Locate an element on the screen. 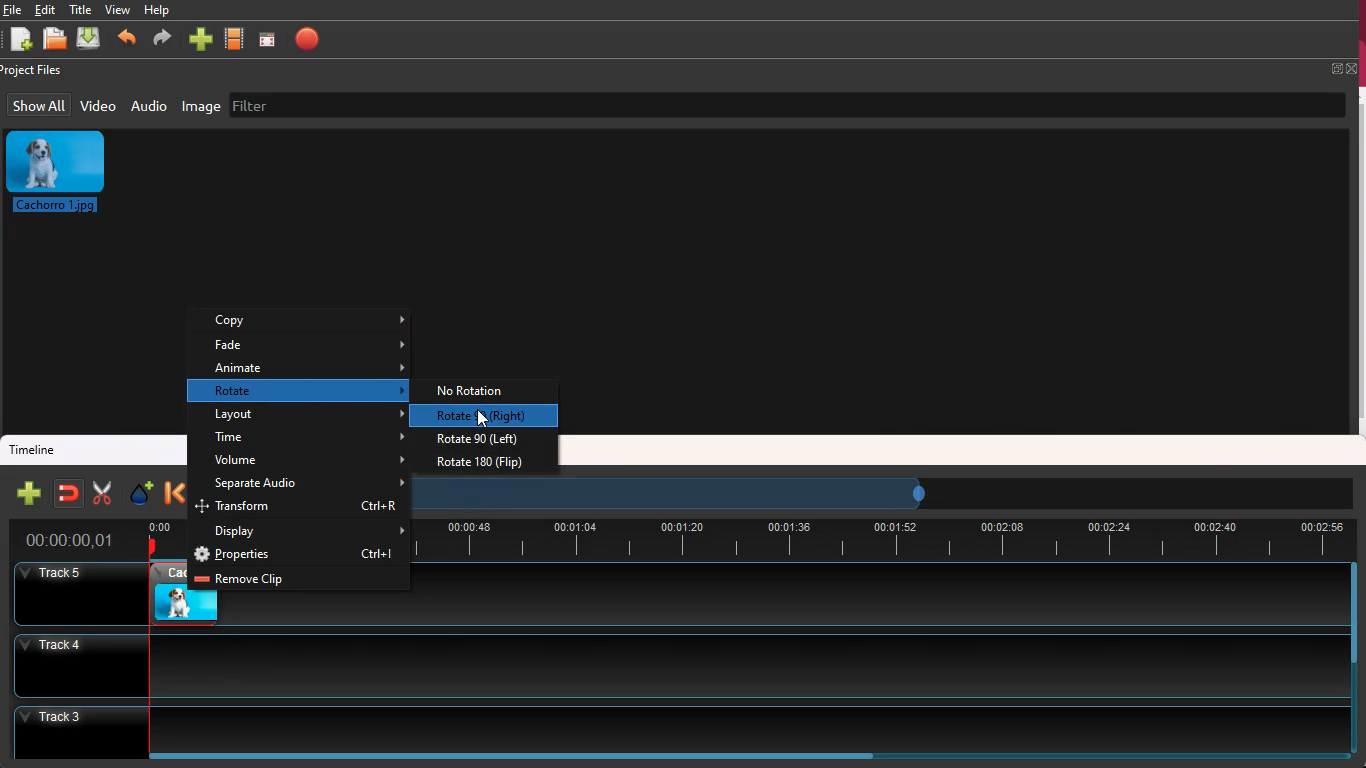  join is located at coordinates (70, 493).